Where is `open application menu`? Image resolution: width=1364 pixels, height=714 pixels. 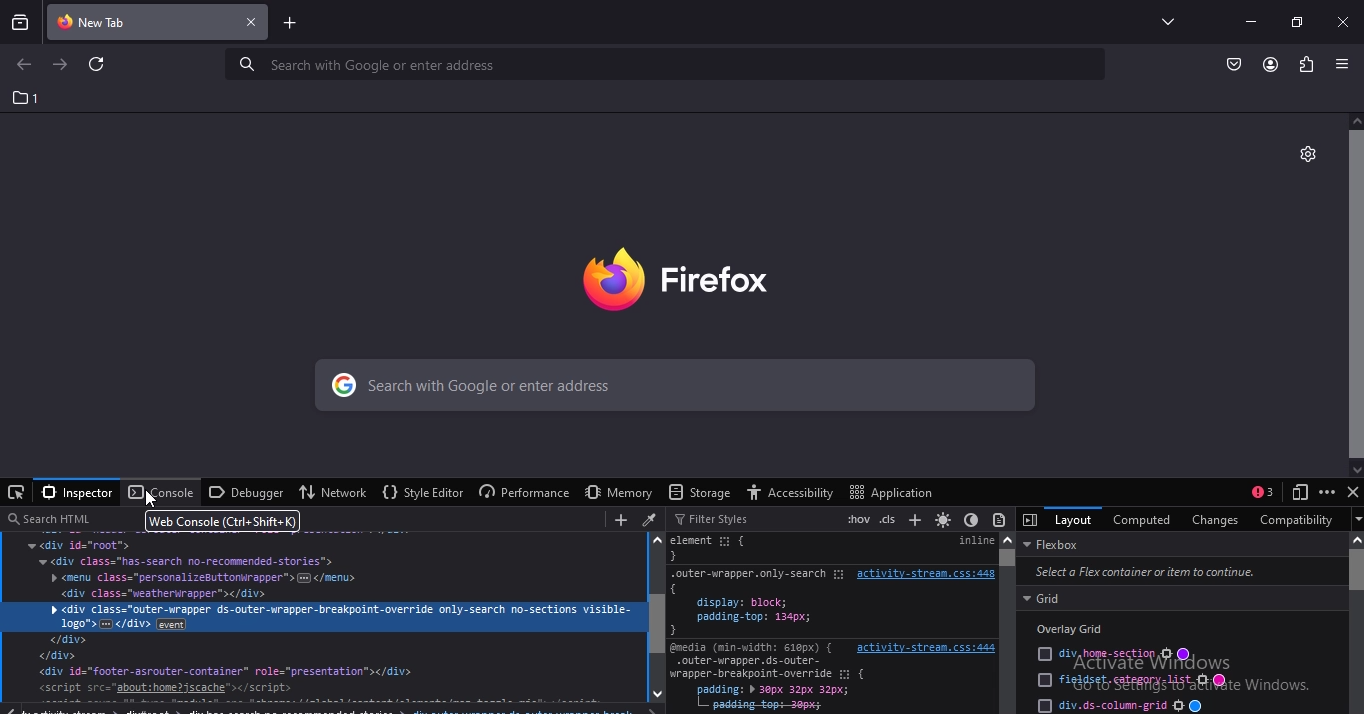 open application menu is located at coordinates (1342, 65).